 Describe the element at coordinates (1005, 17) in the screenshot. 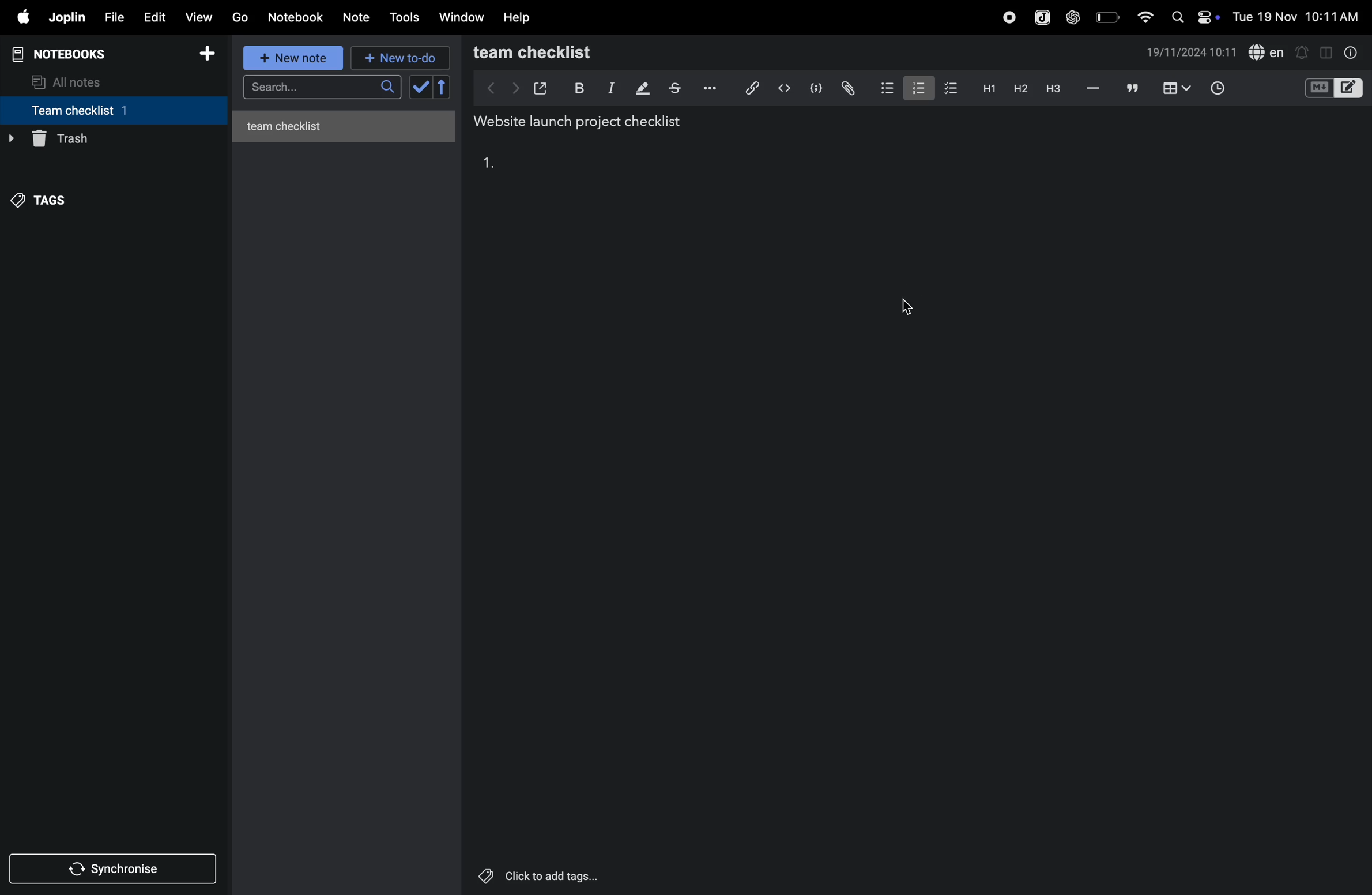

I see `record` at that location.